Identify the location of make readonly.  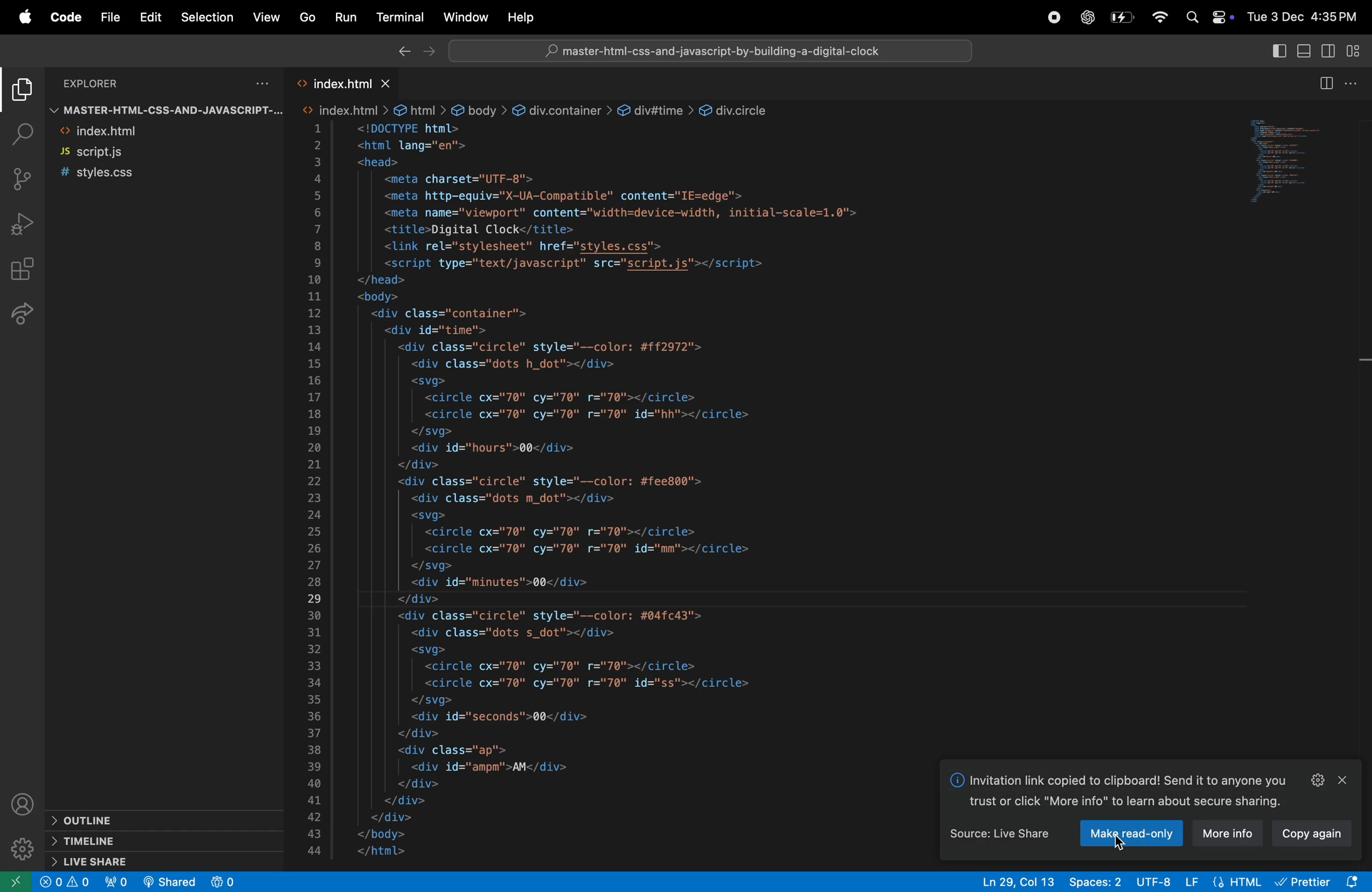
(1160, 834).